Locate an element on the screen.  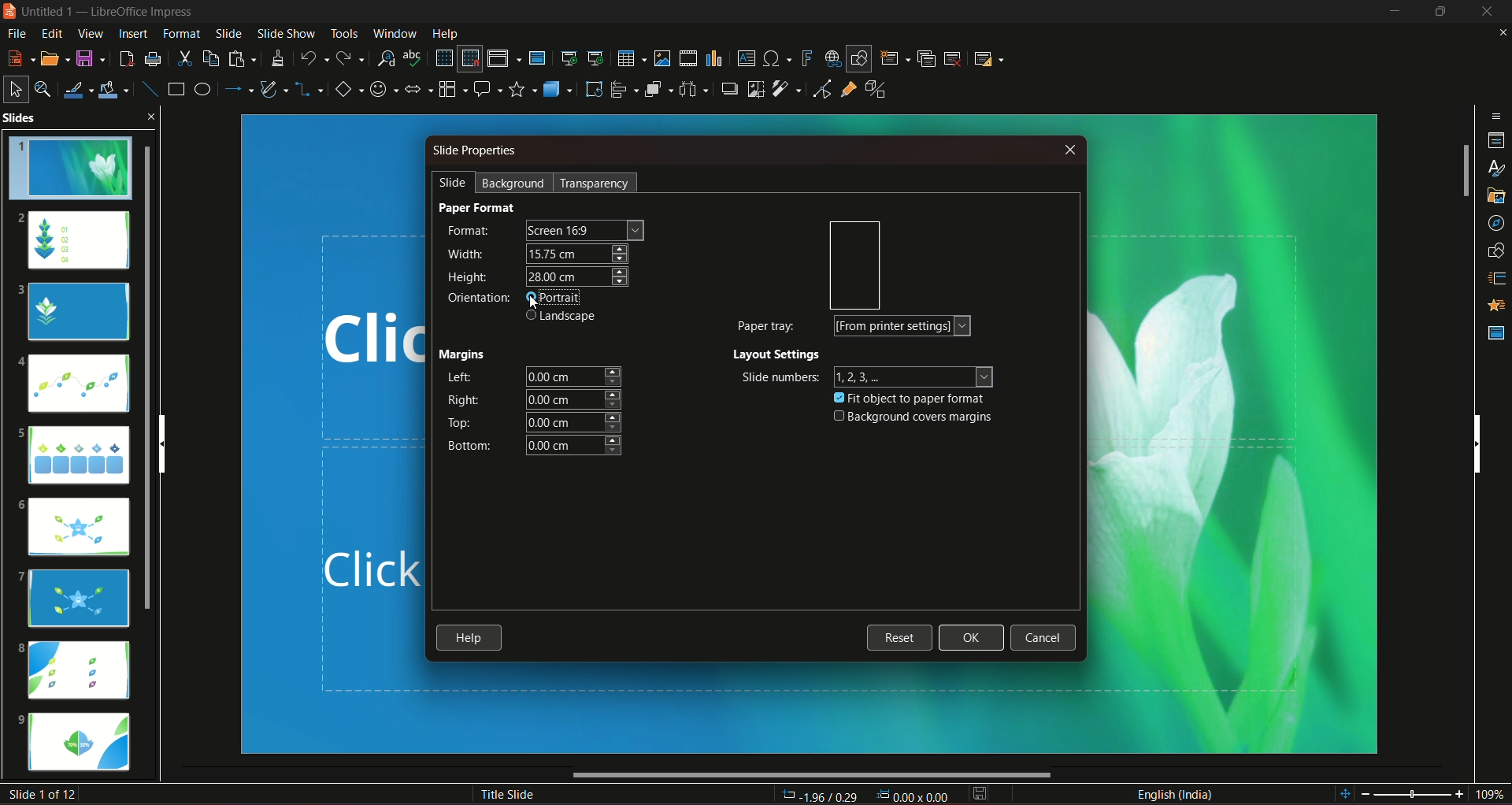
landscape is located at coordinates (564, 317).